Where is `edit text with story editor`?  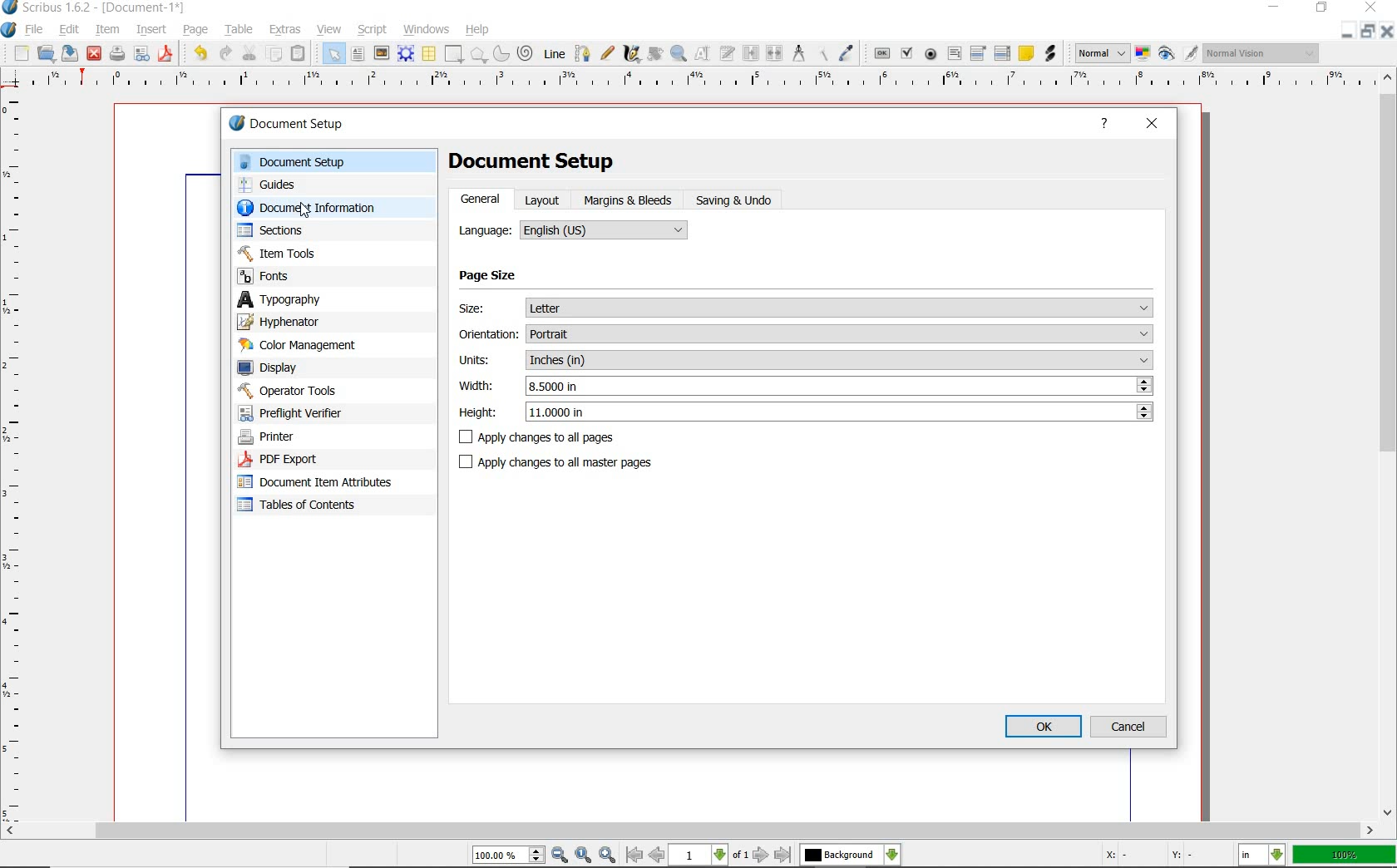 edit text with story editor is located at coordinates (728, 55).